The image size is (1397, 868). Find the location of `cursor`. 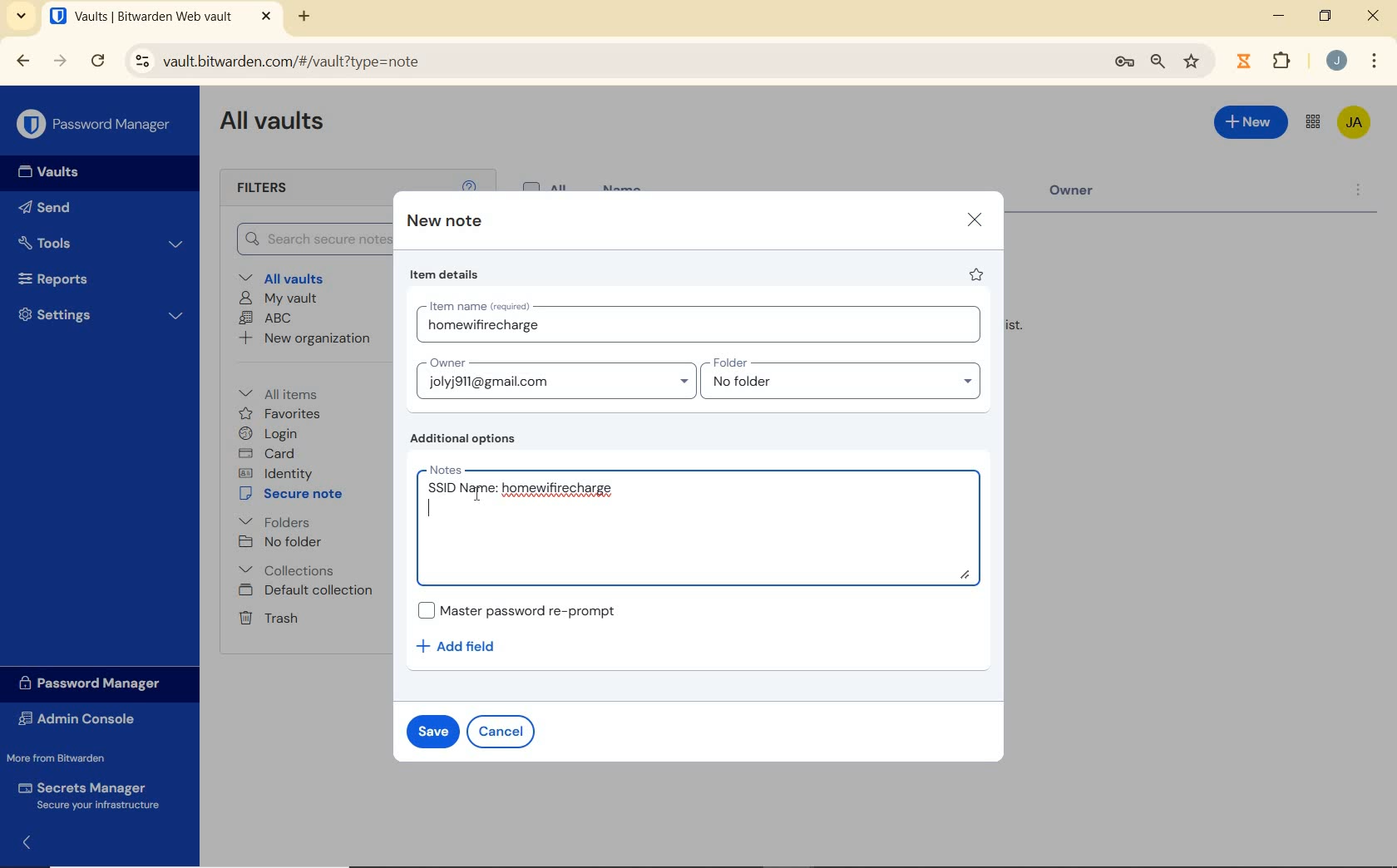

cursor is located at coordinates (476, 496).